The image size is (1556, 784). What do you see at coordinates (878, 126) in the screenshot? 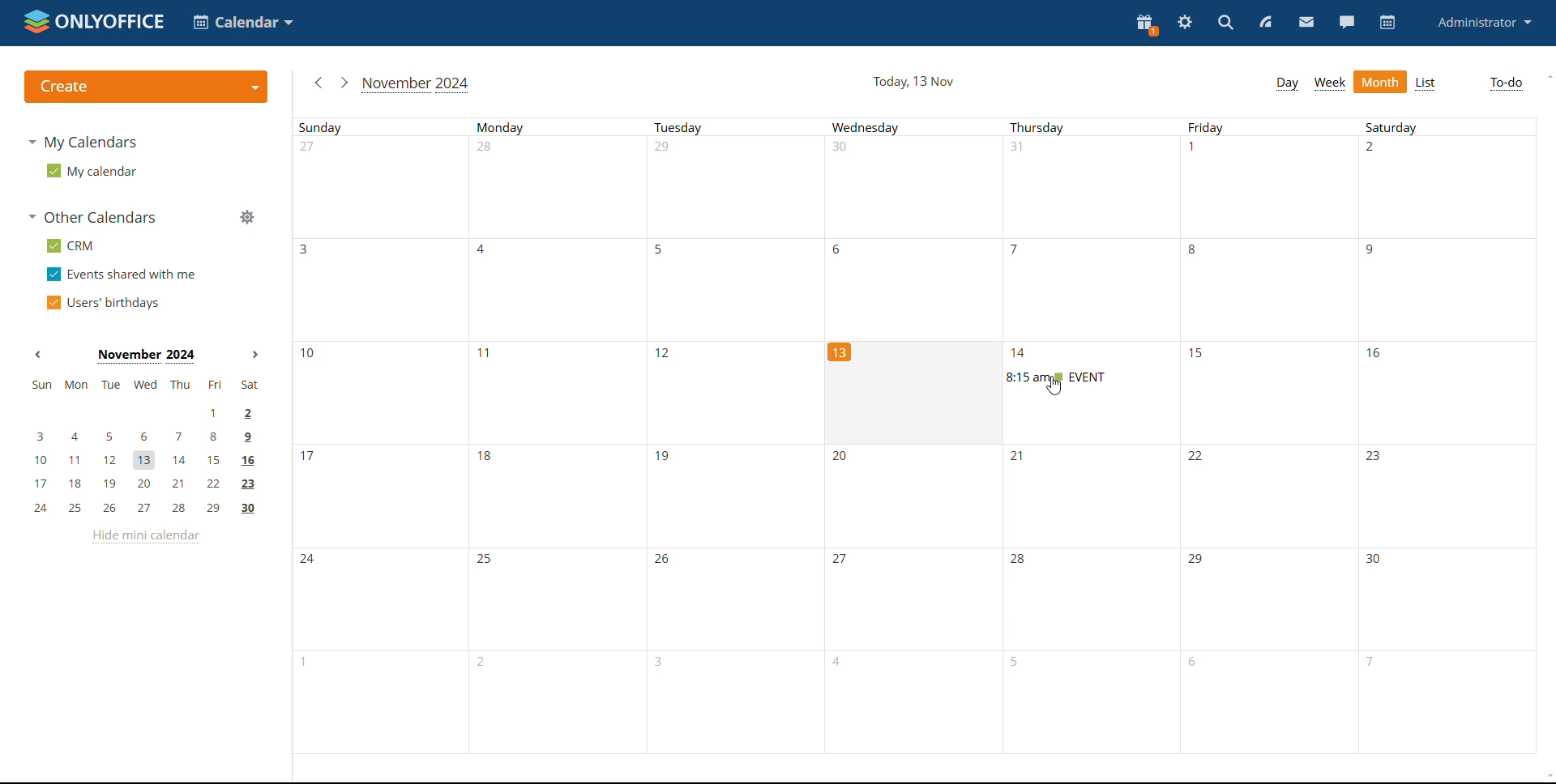
I see `days` at bounding box center [878, 126].